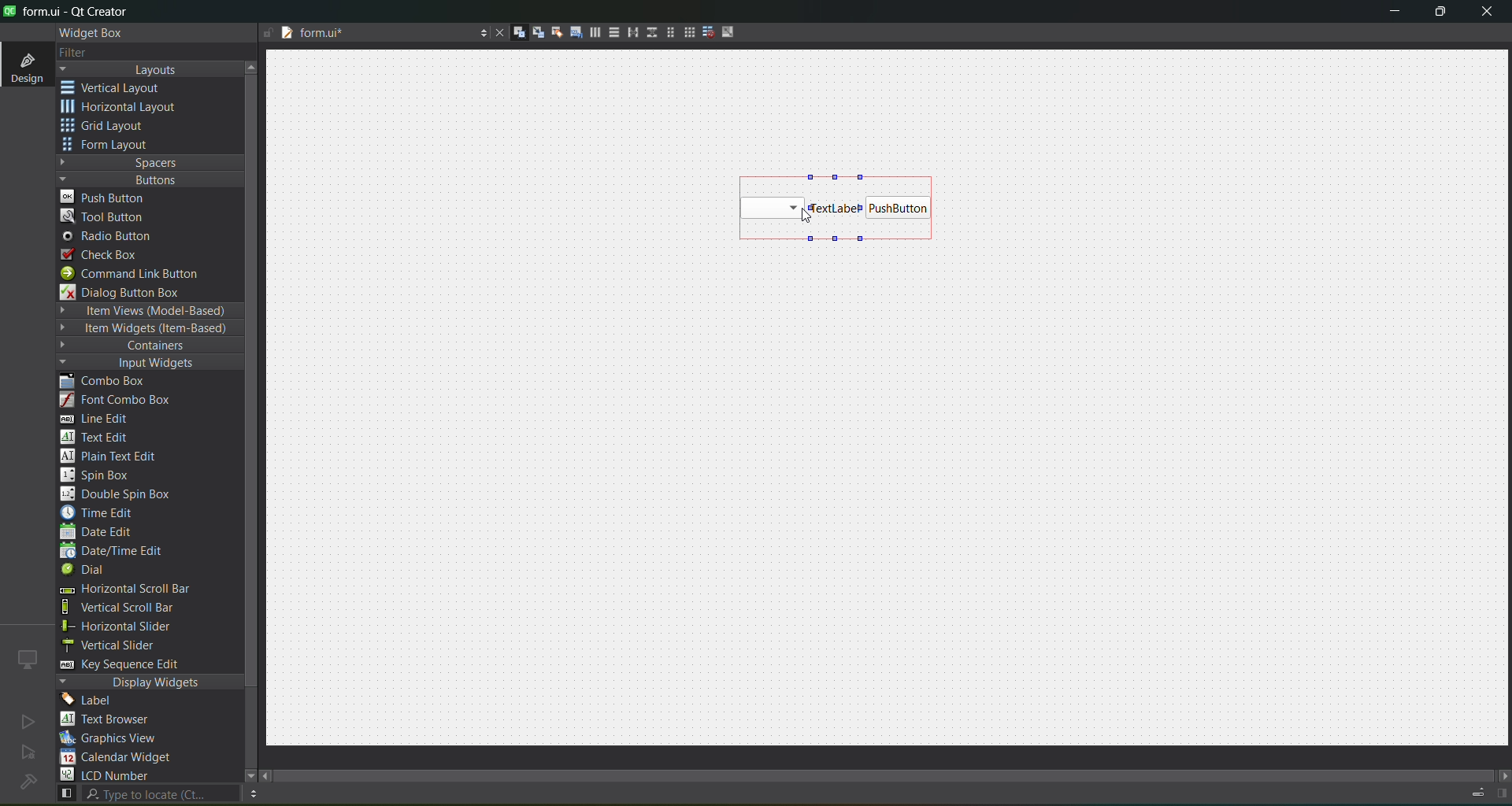  I want to click on filter, so click(85, 54).